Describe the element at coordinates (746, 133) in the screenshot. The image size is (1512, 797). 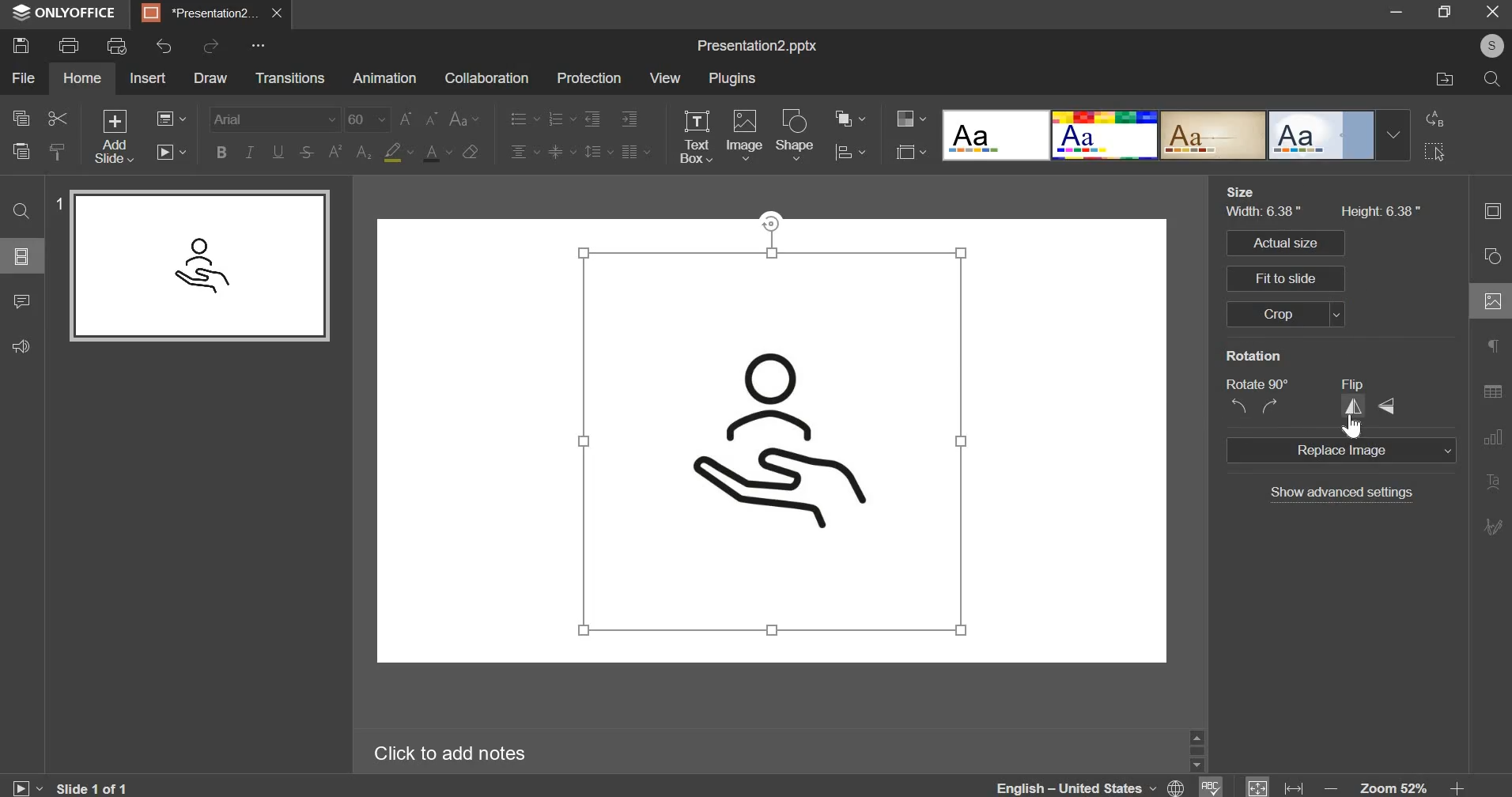
I see `image` at that location.